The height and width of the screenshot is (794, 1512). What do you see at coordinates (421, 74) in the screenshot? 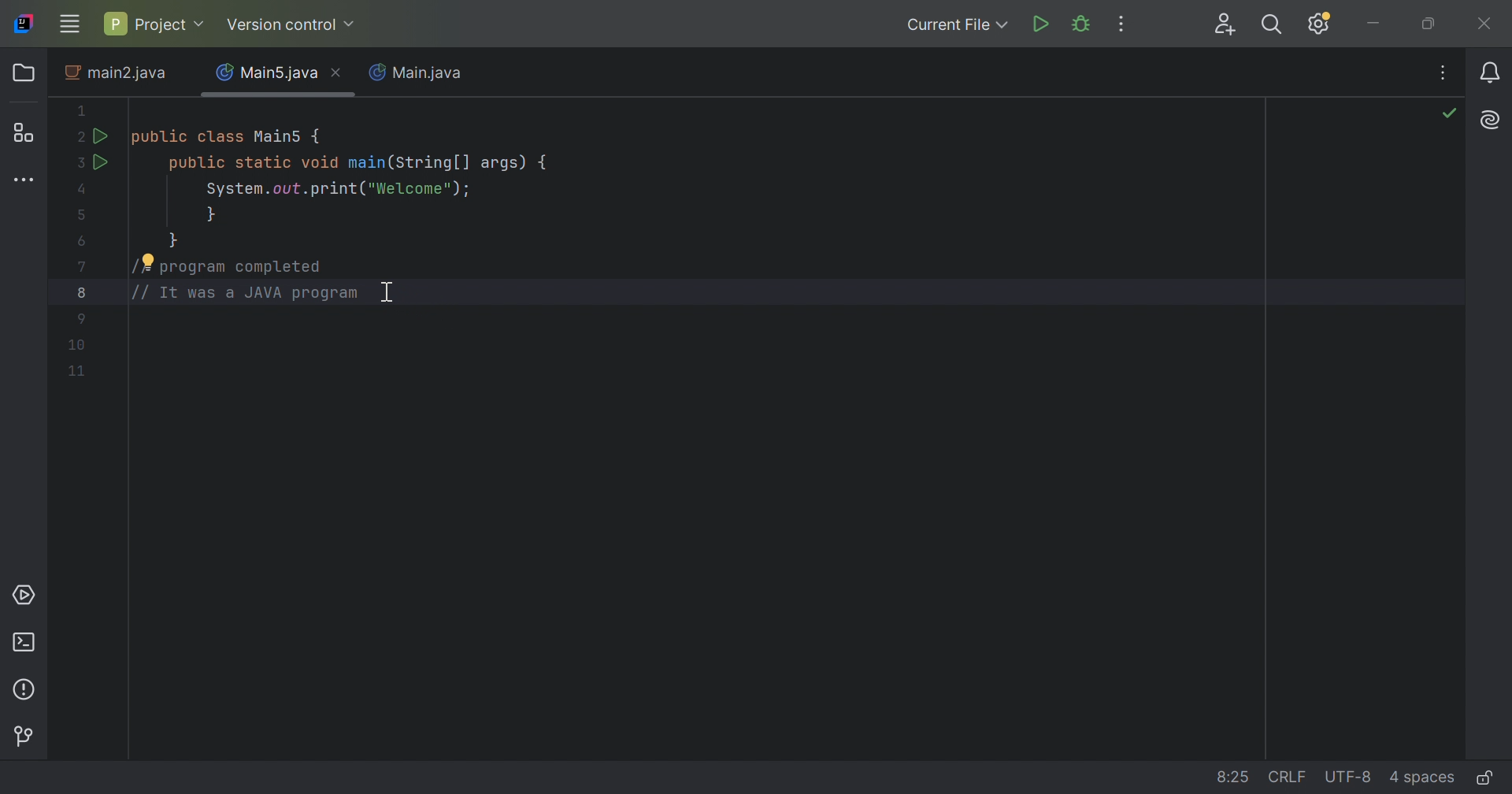
I see `Main.java` at bounding box center [421, 74].